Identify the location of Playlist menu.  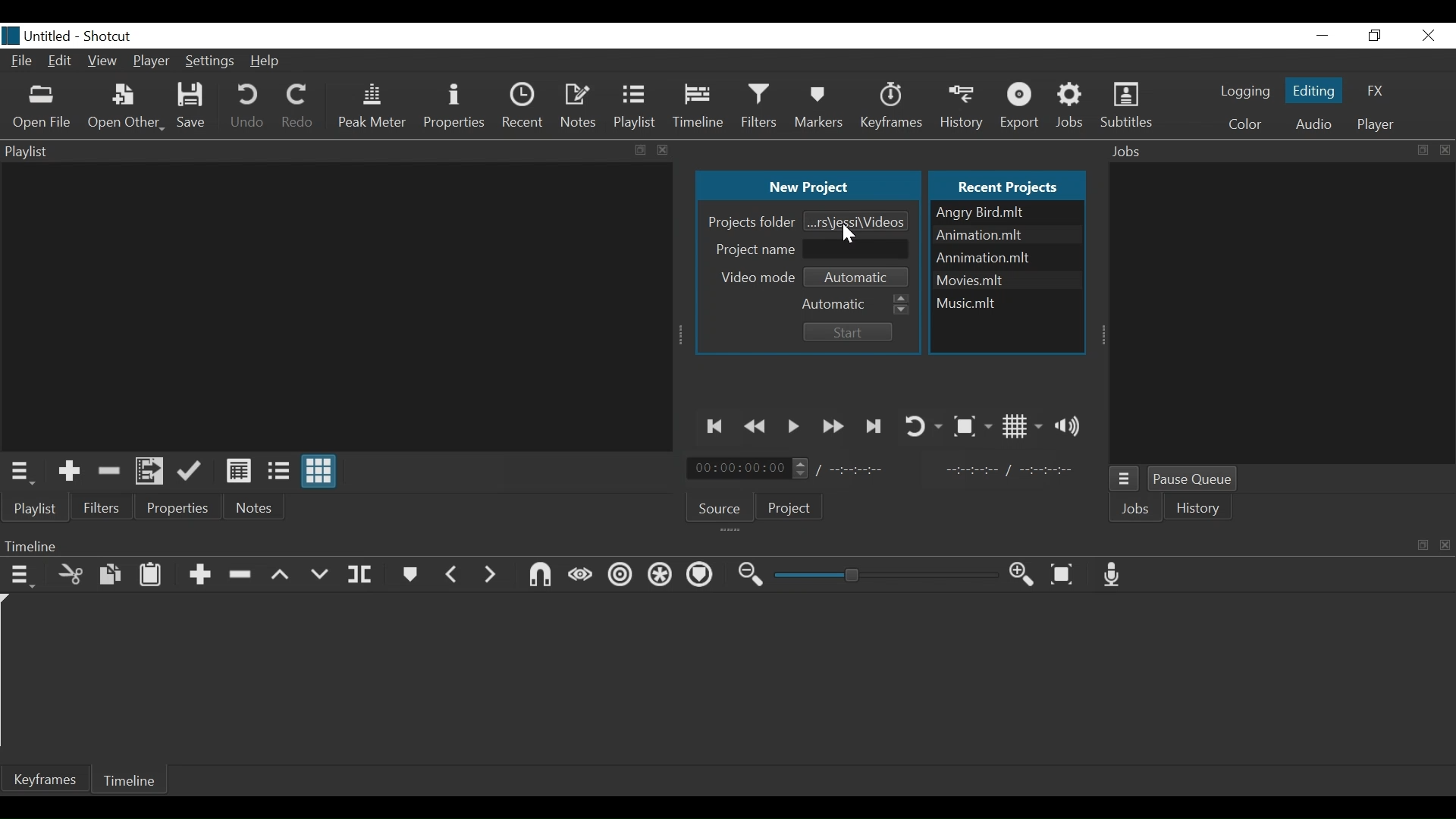
(42, 509).